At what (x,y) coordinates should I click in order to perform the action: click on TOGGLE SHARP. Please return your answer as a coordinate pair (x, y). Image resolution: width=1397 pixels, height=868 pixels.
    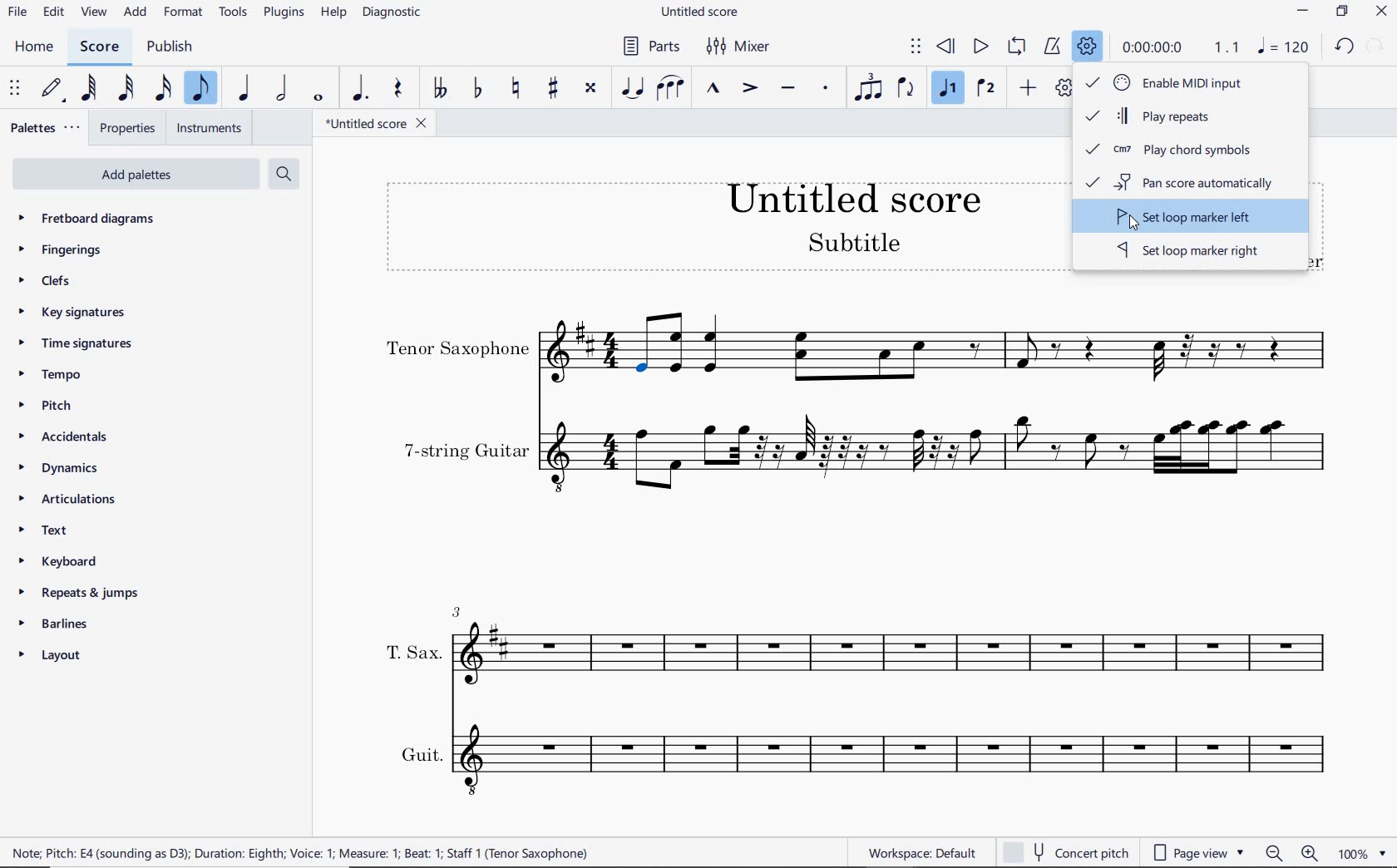
    Looking at the image, I should click on (554, 87).